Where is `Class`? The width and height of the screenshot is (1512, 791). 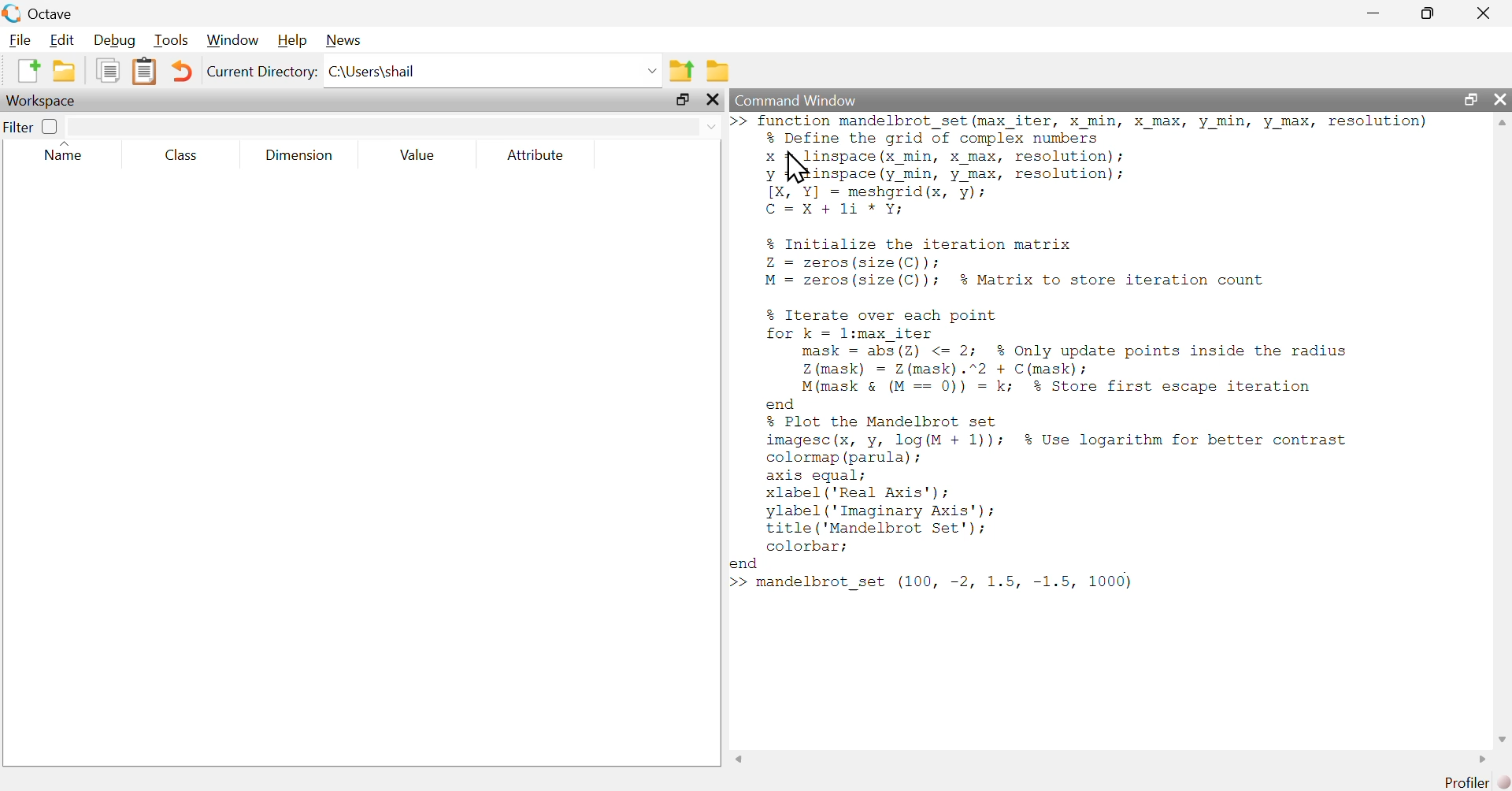 Class is located at coordinates (182, 154).